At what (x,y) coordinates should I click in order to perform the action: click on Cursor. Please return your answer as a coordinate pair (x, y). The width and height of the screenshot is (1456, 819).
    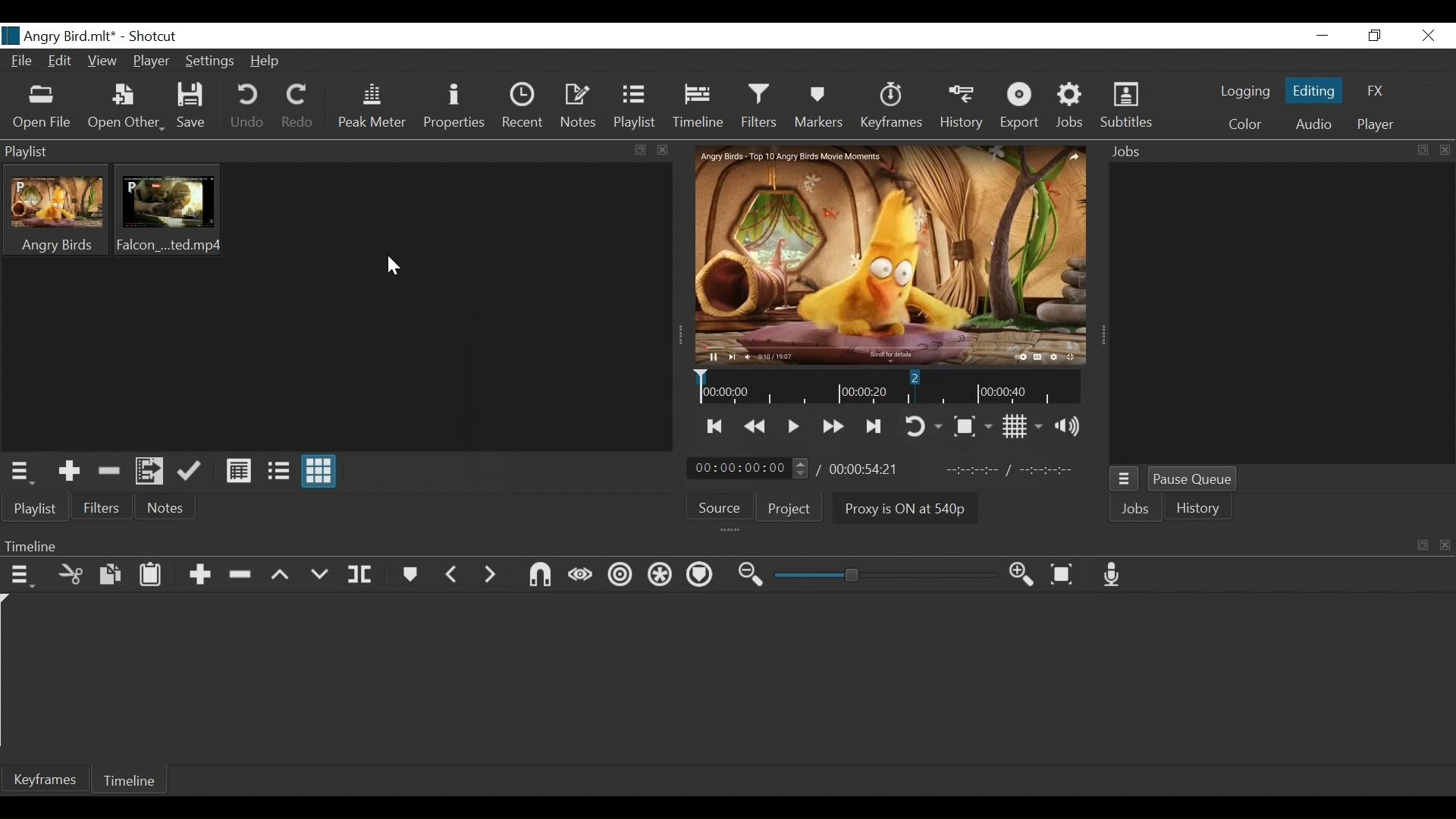
    Looking at the image, I should click on (391, 267).